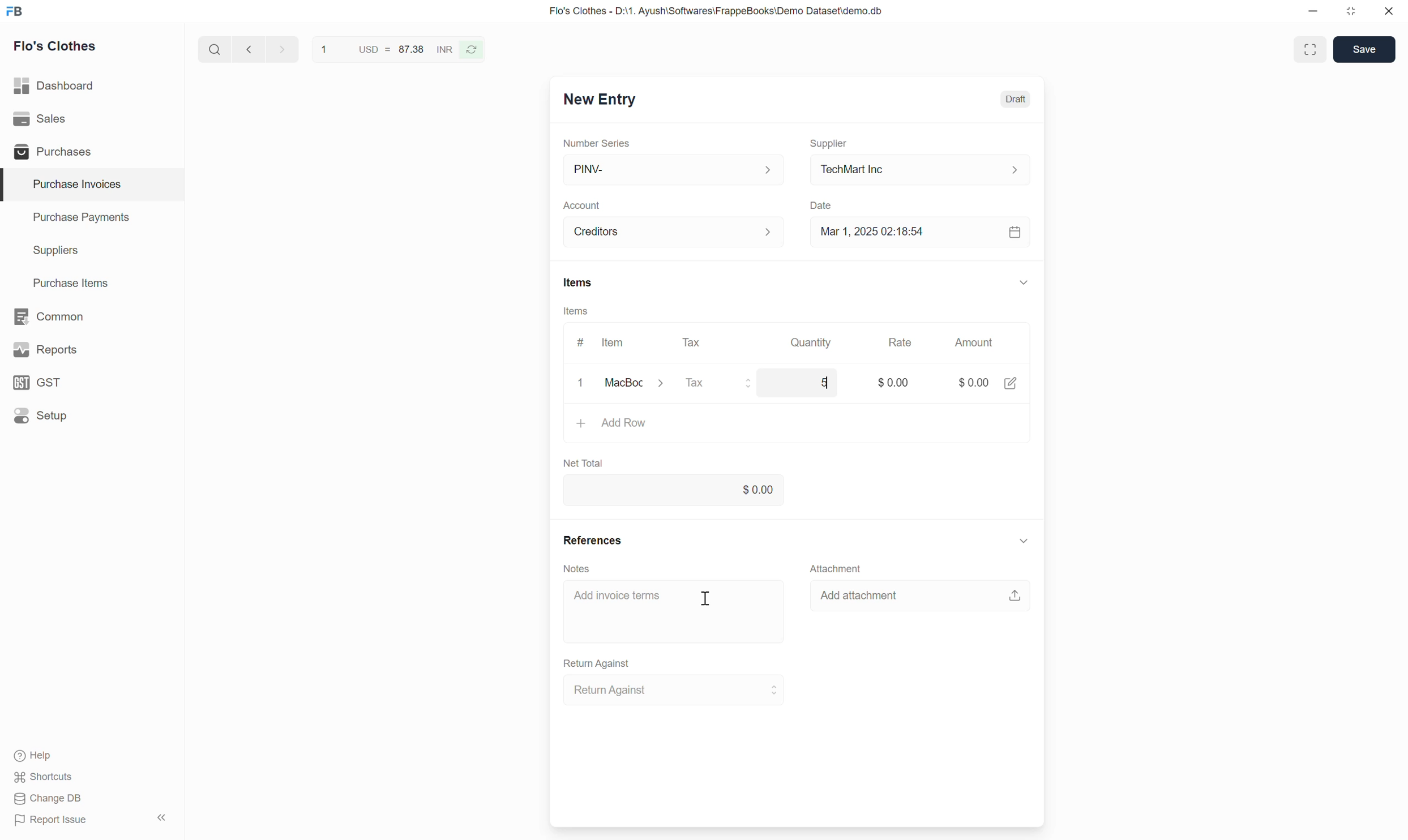 The width and height of the screenshot is (1408, 840). Describe the element at coordinates (161, 817) in the screenshot. I see `Collapse` at that location.